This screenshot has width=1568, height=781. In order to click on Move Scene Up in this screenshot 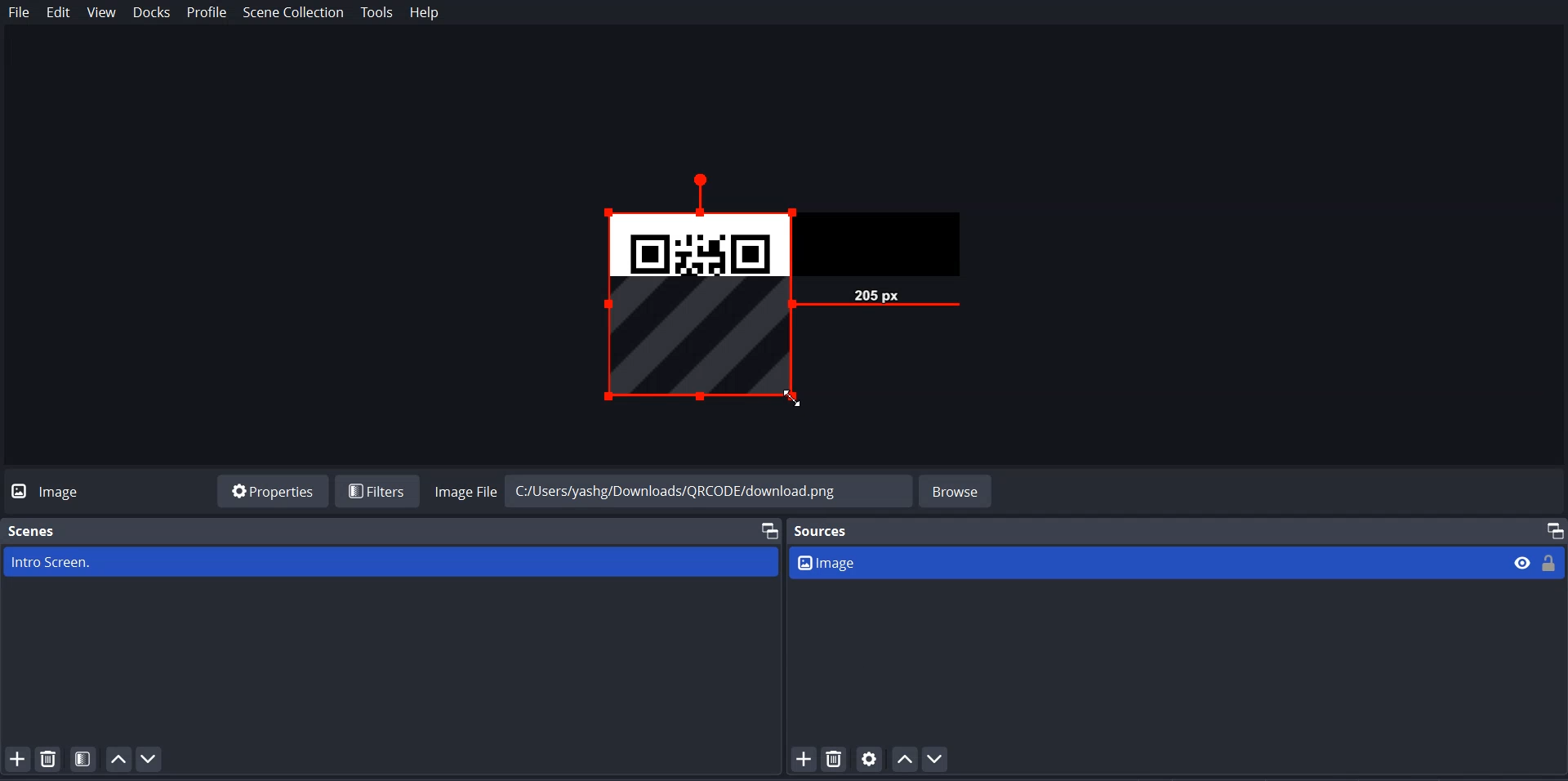, I will do `click(118, 758)`.